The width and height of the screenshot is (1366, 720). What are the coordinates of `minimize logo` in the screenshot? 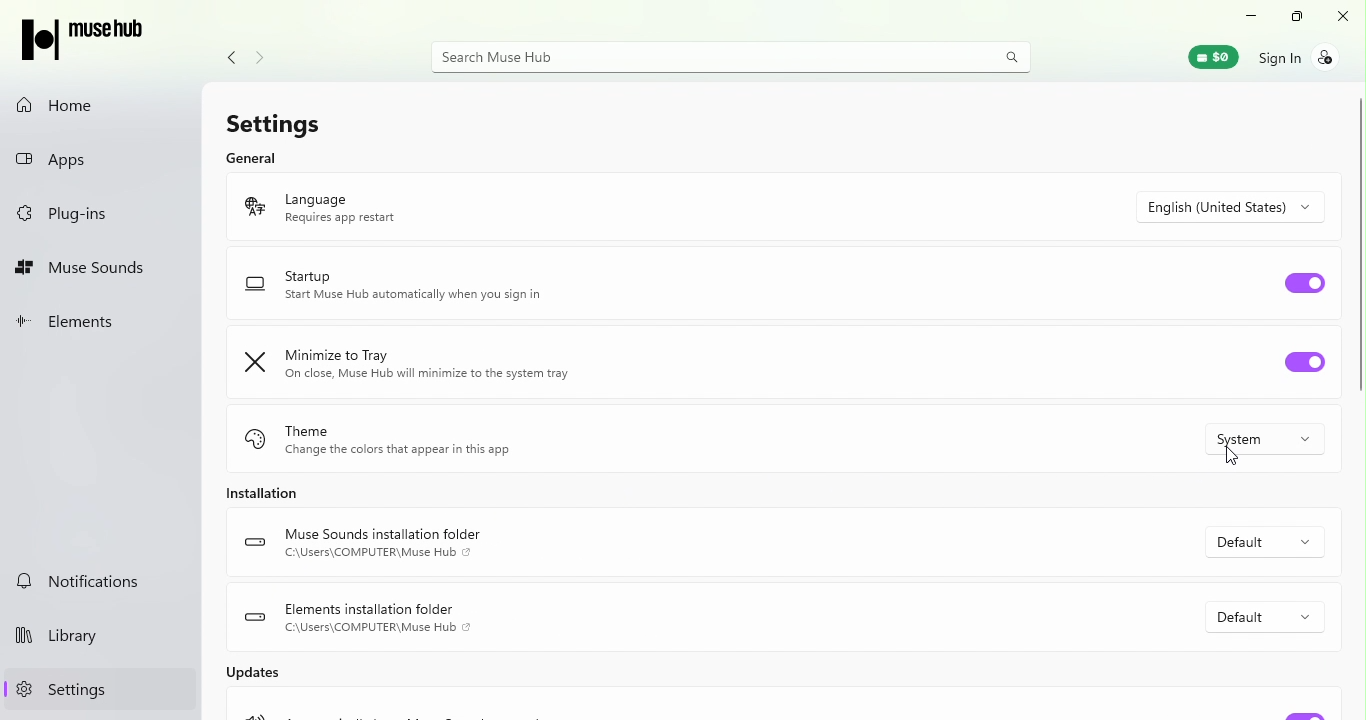 It's located at (259, 364).